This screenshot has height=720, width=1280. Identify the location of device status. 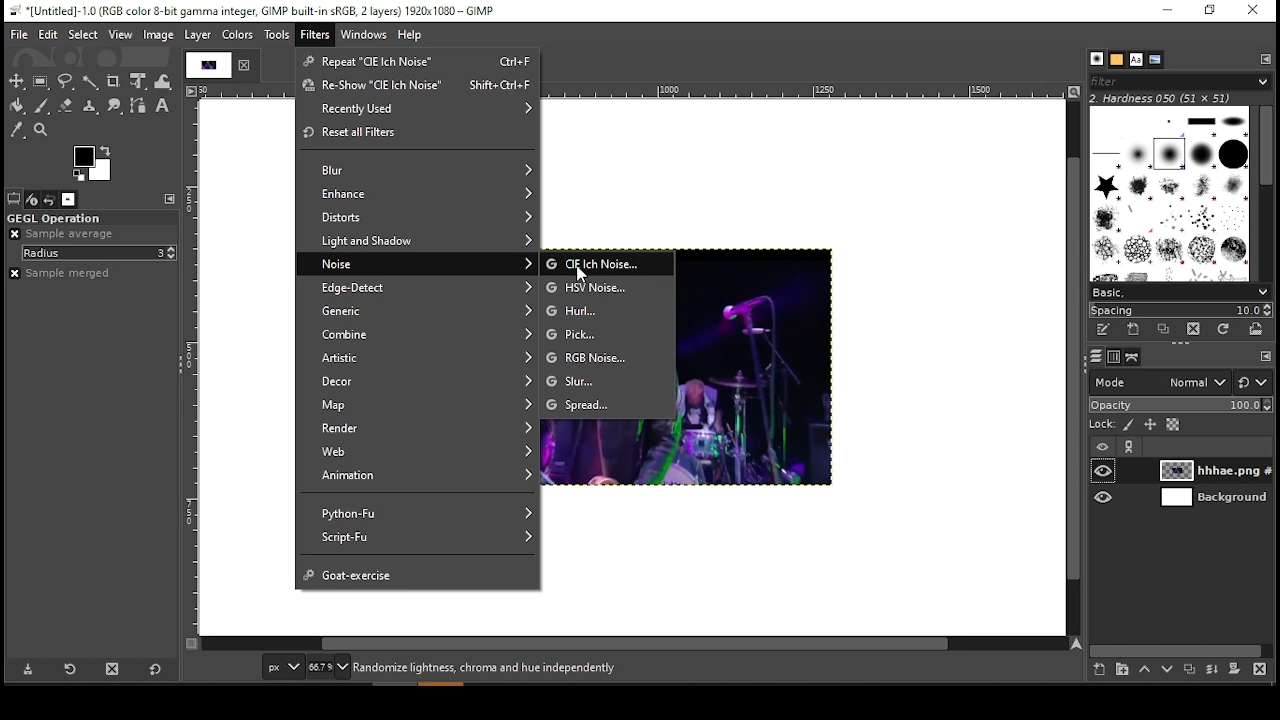
(31, 198).